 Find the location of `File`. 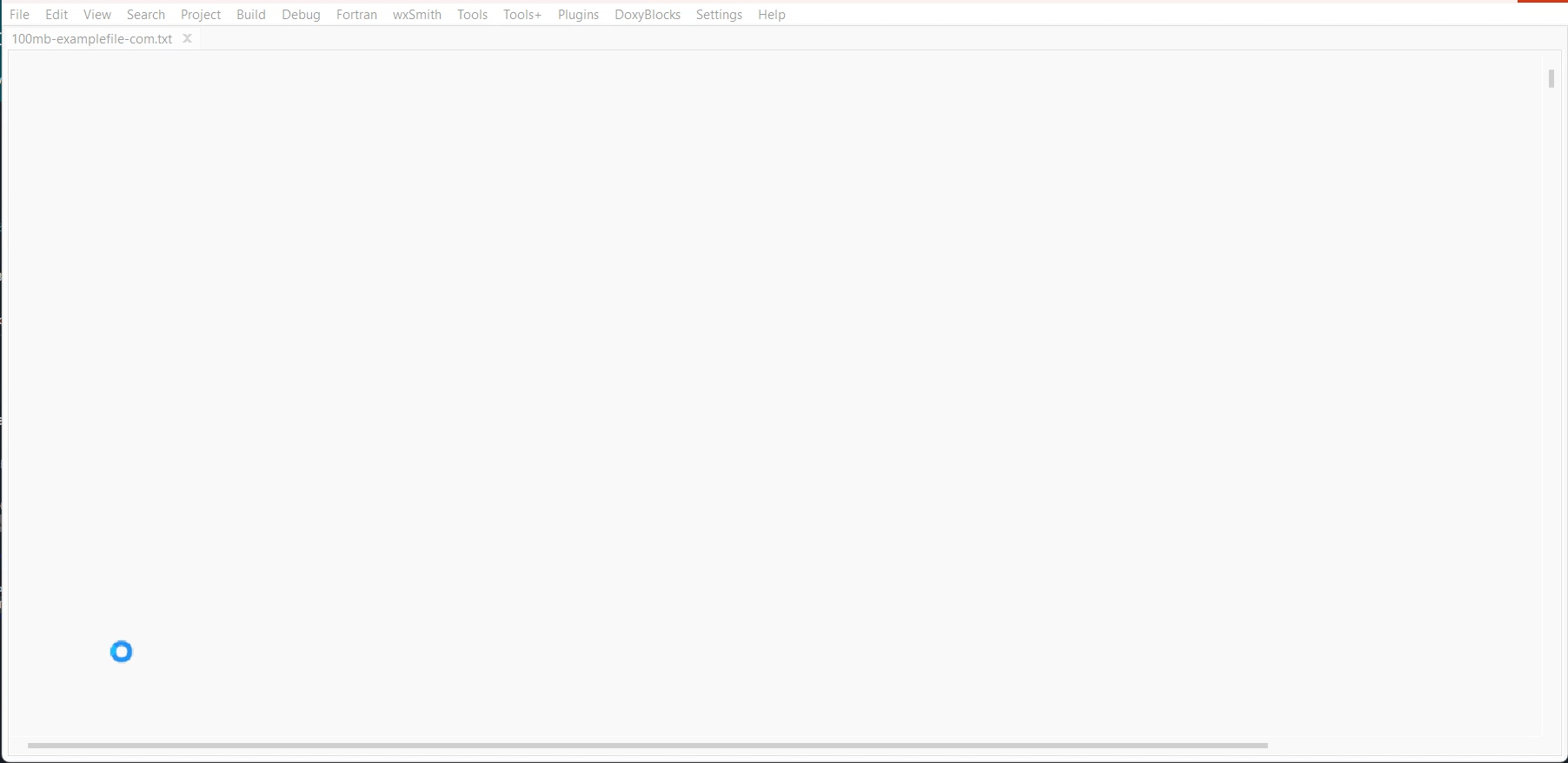

File is located at coordinates (19, 14).